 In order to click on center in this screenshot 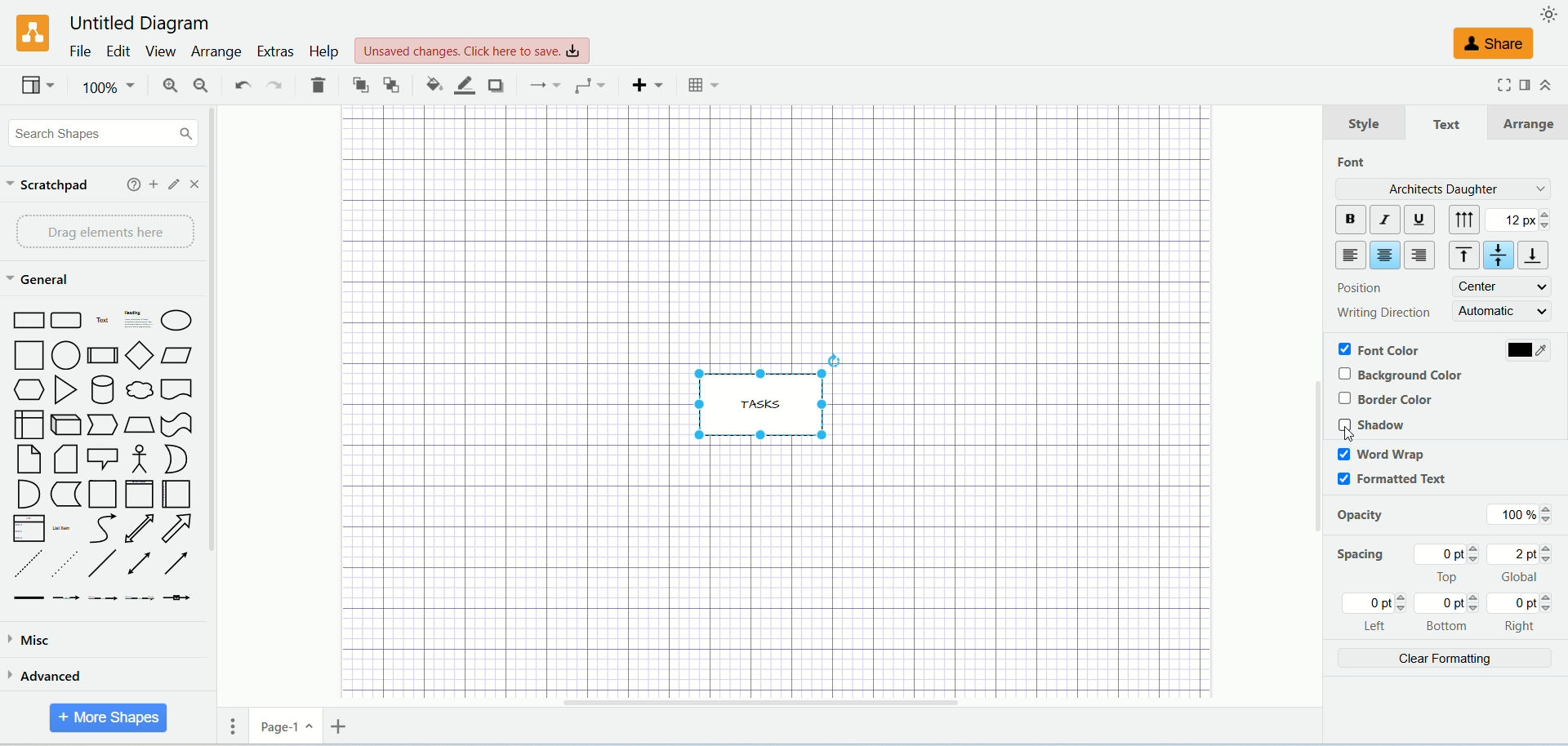, I will do `click(1385, 256)`.